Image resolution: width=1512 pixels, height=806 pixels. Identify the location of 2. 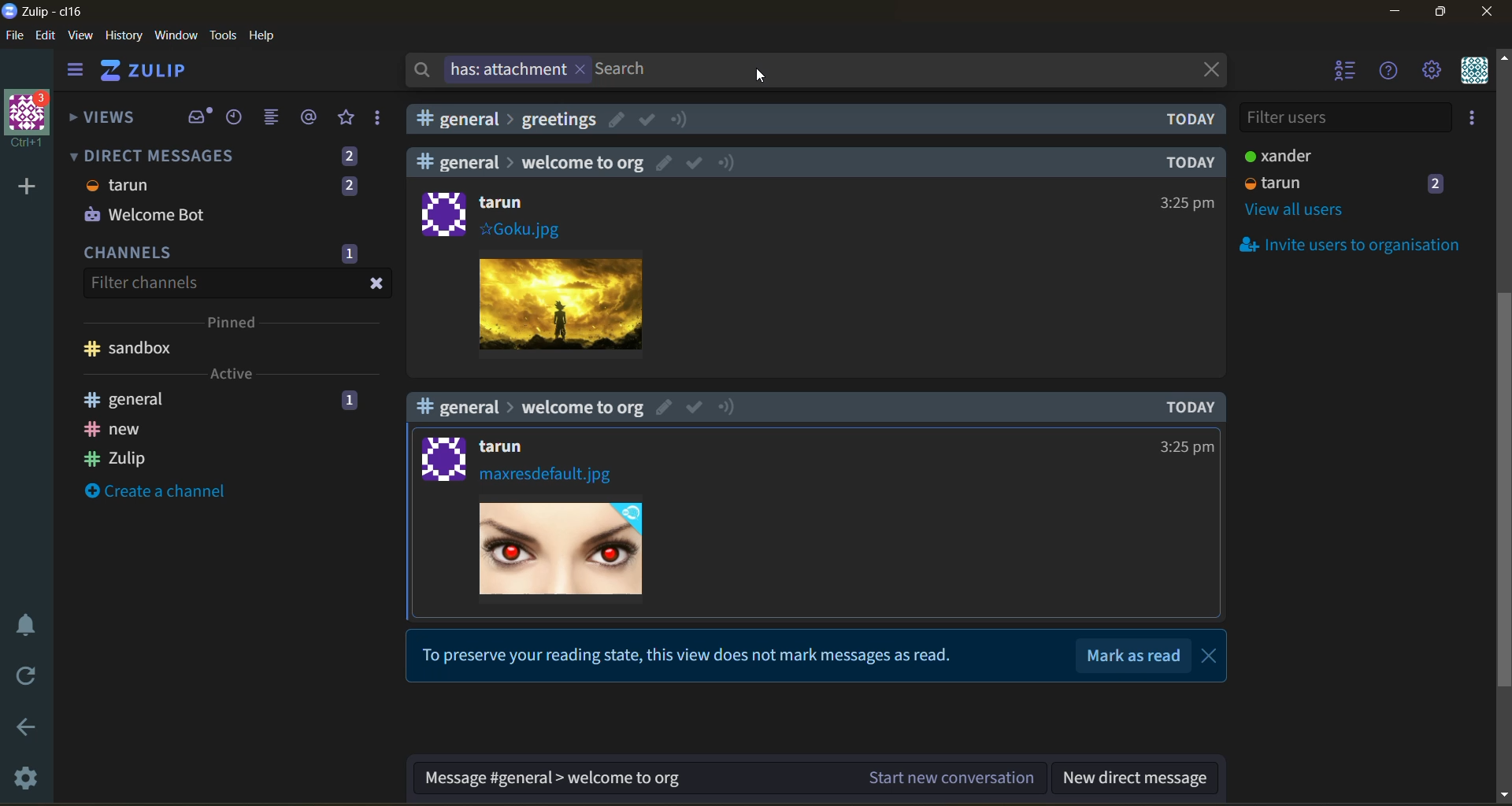
(1438, 183).